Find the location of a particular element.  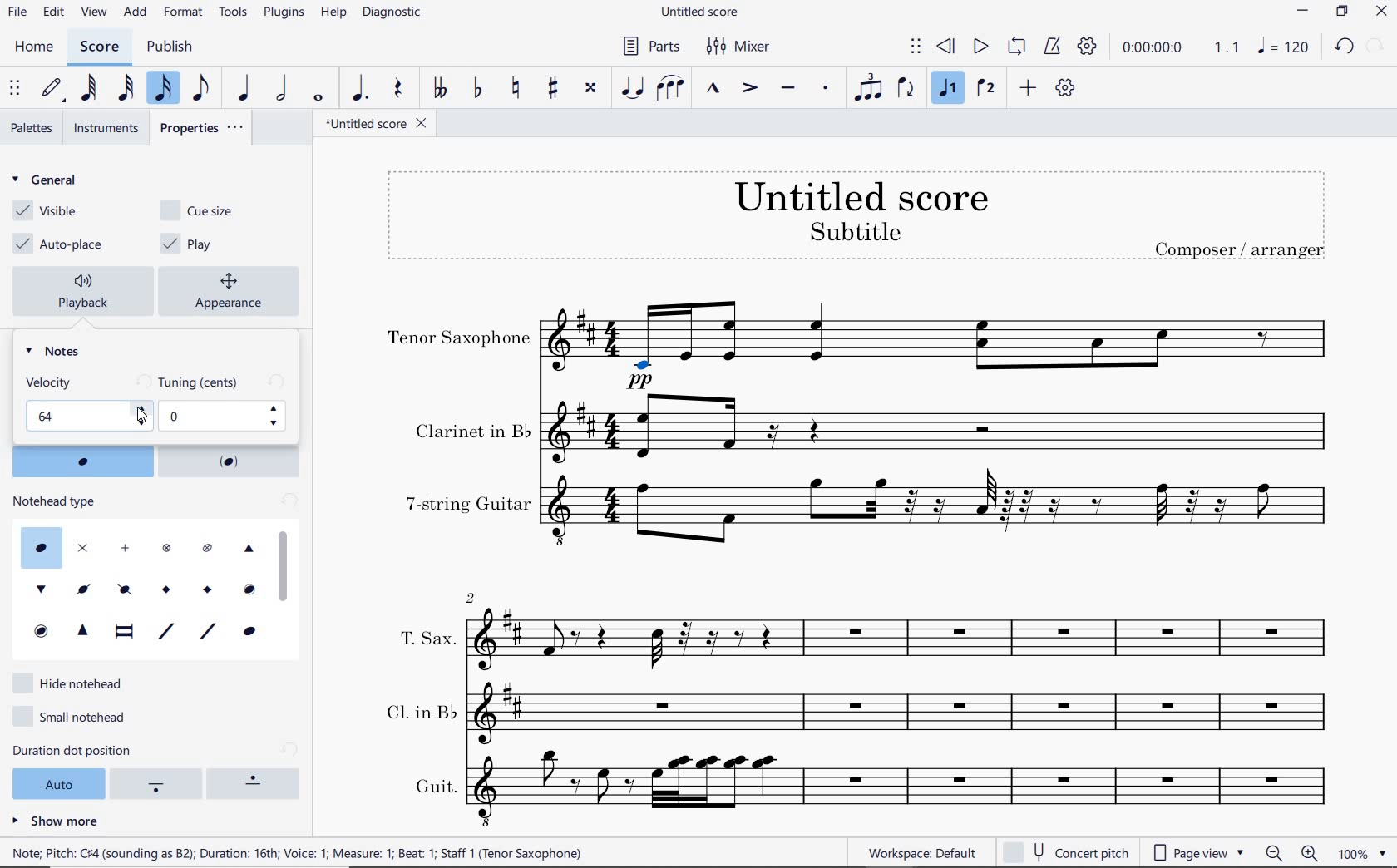

instruments is located at coordinates (104, 128).